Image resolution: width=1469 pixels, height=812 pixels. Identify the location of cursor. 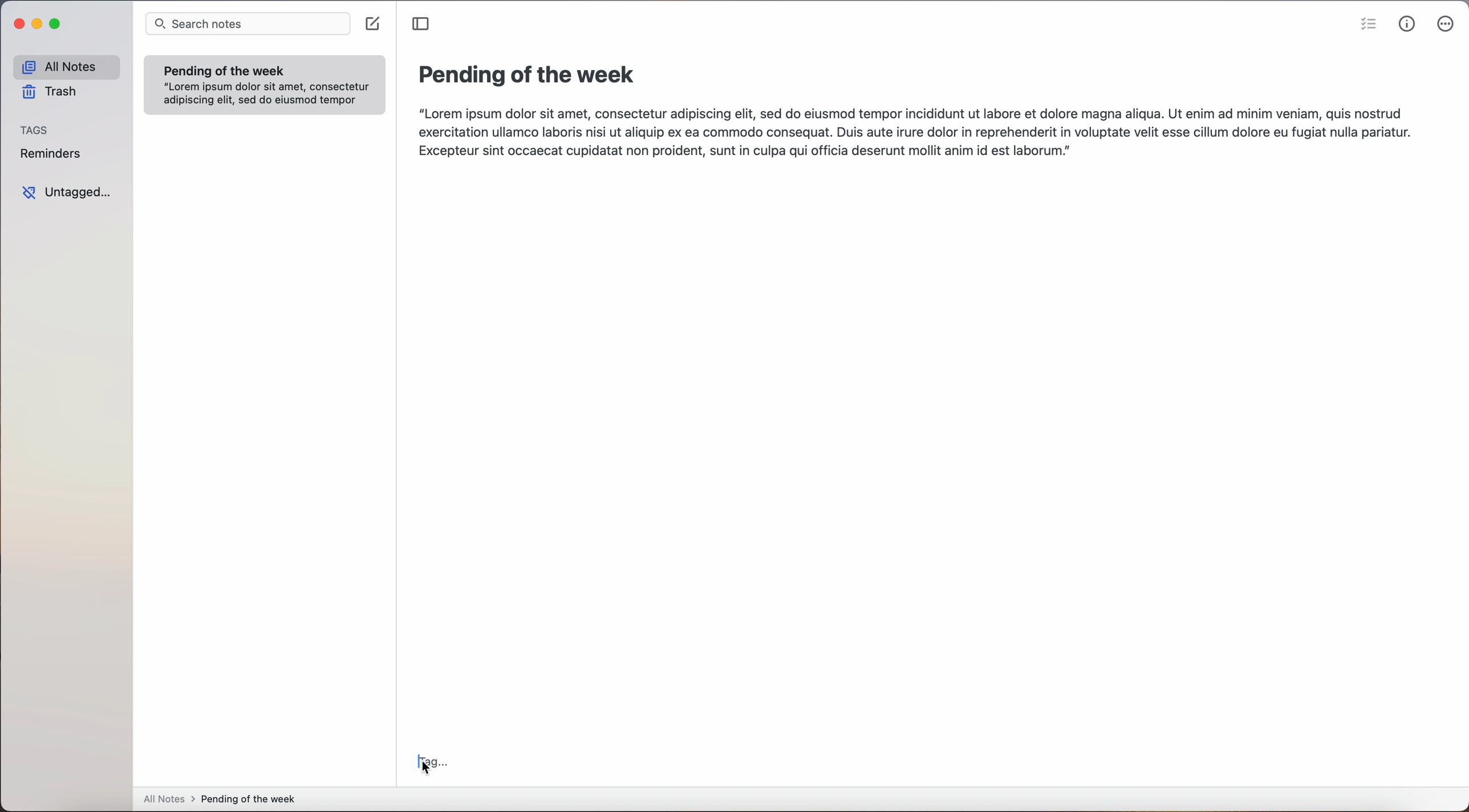
(419, 770).